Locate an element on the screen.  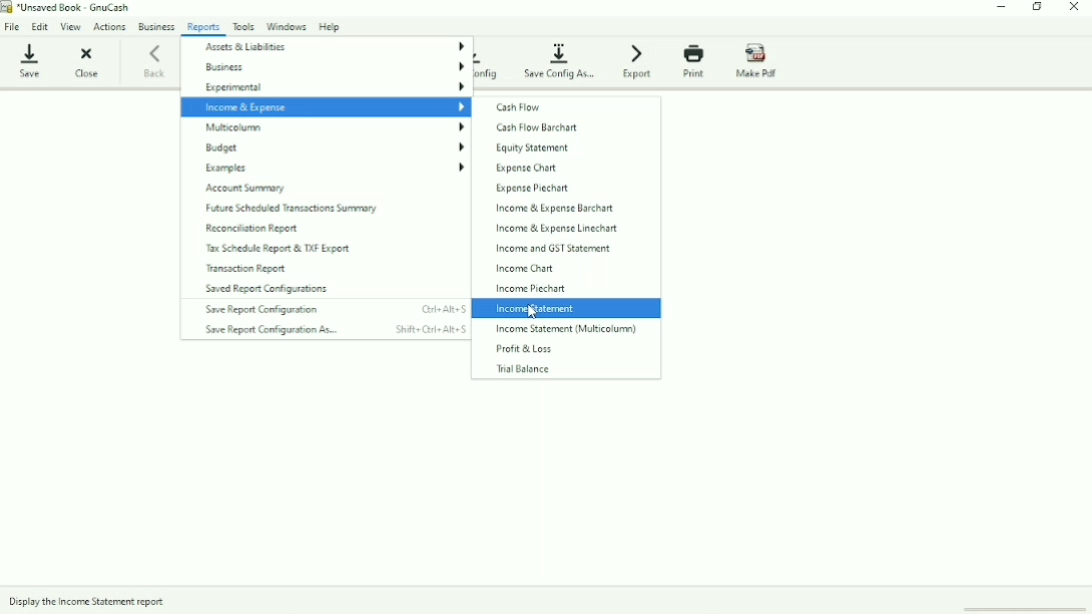
Actions is located at coordinates (111, 27).